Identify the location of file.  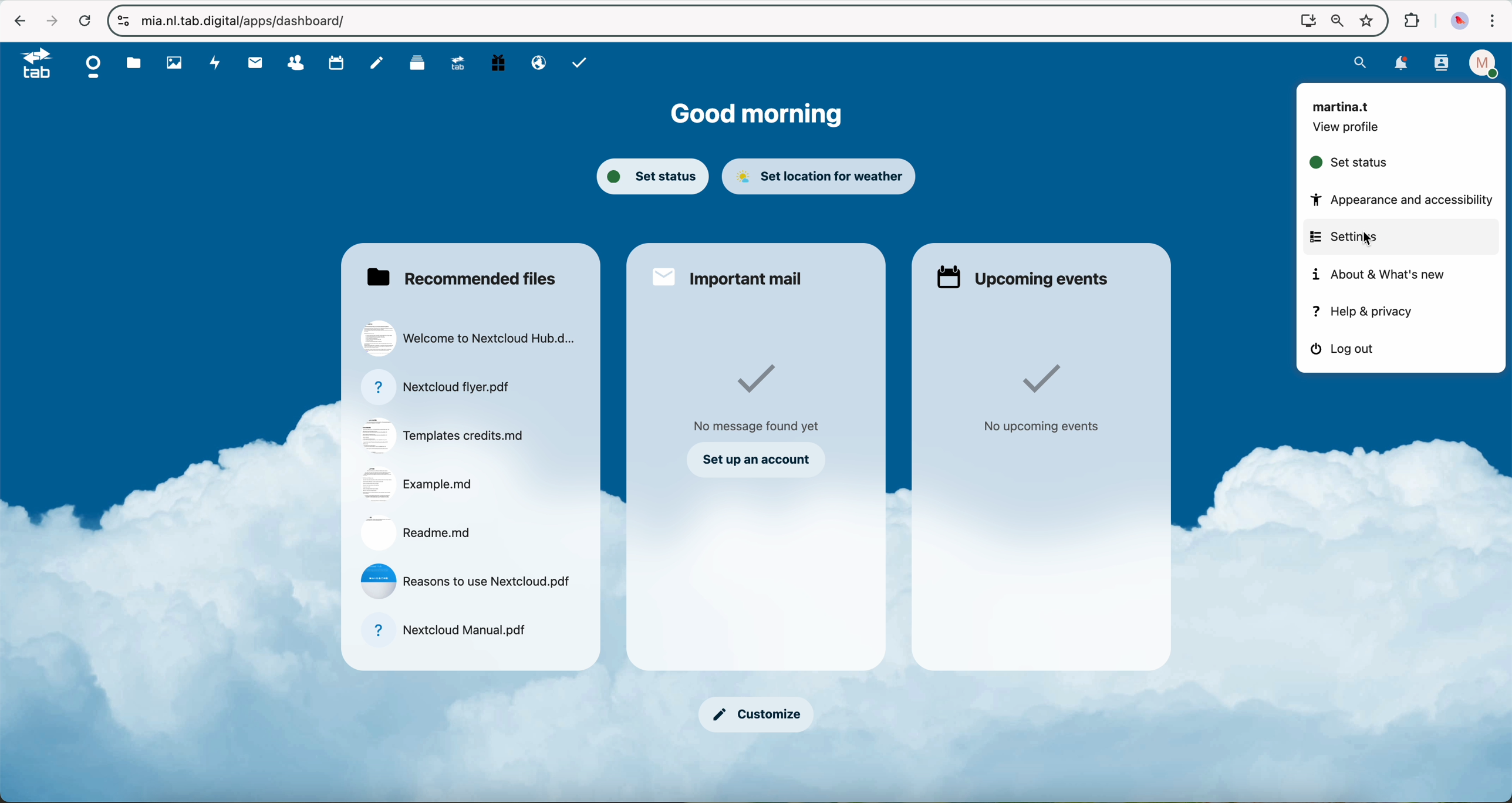
(416, 533).